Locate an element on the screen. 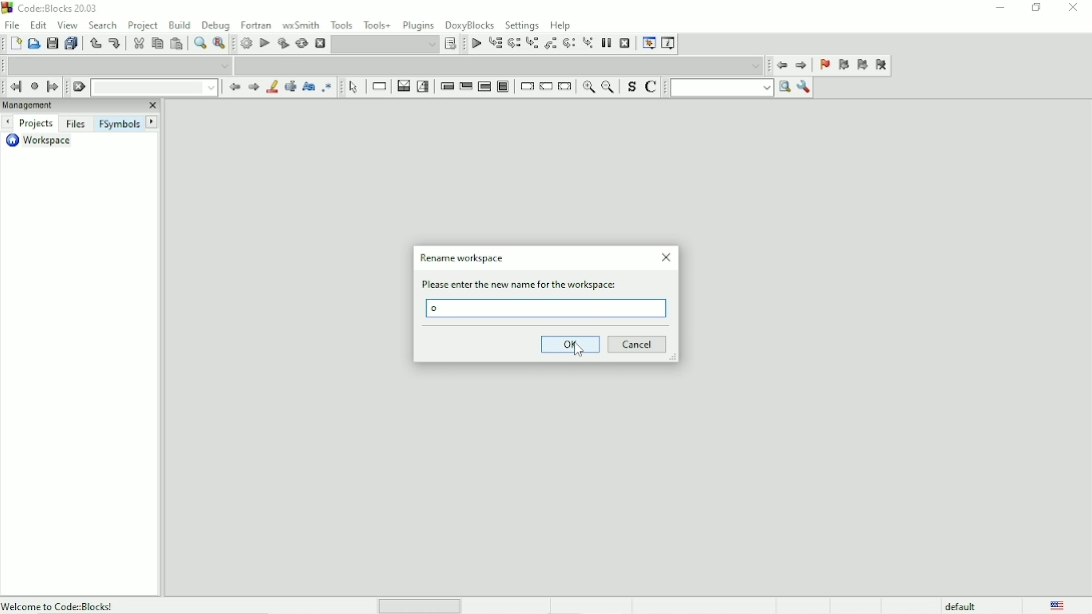 Image resolution: width=1092 pixels, height=614 pixels. Tools+ is located at coordinates (378, 24).